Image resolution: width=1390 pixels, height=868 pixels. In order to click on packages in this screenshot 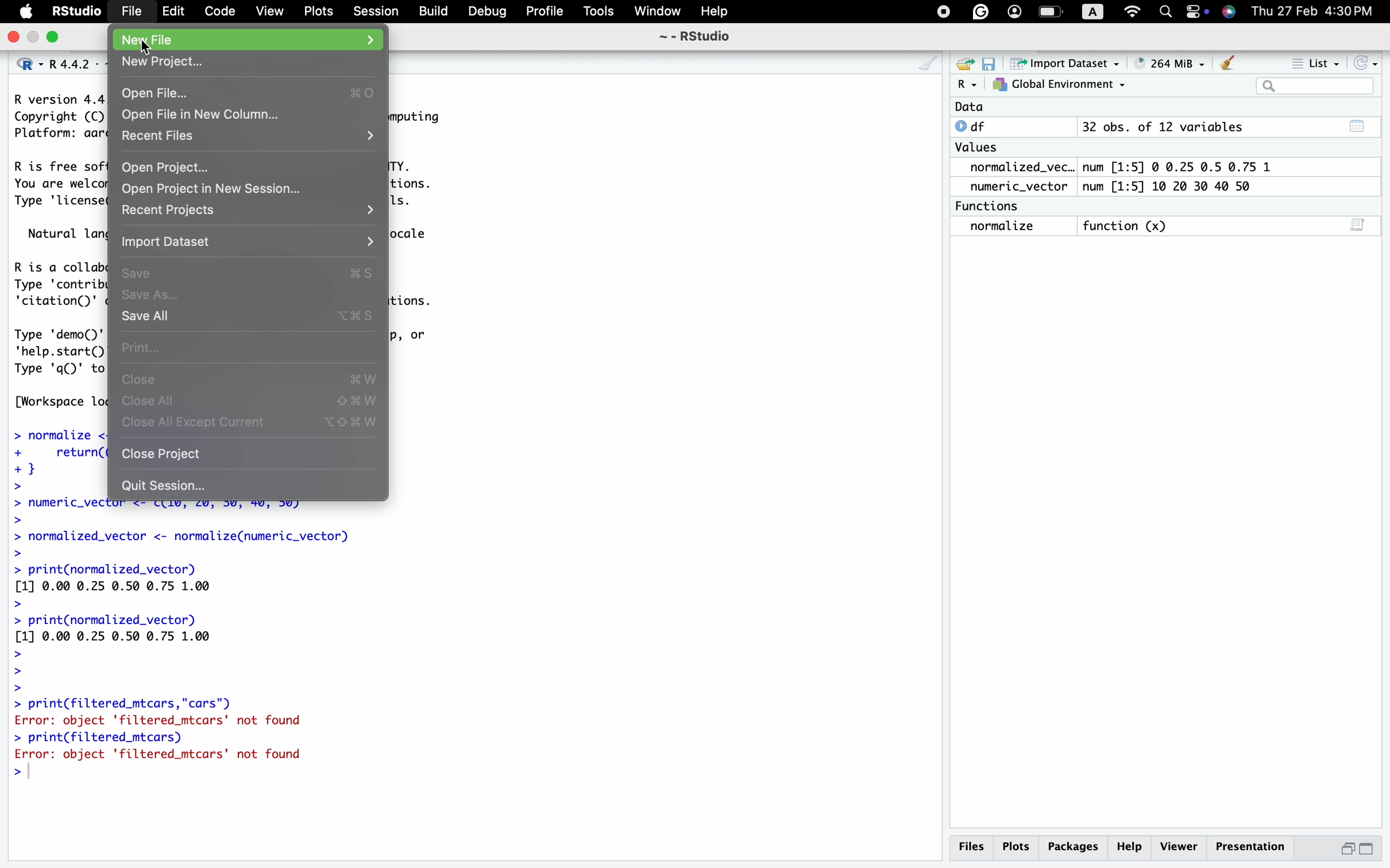, I will do `click(1073, 848)`.